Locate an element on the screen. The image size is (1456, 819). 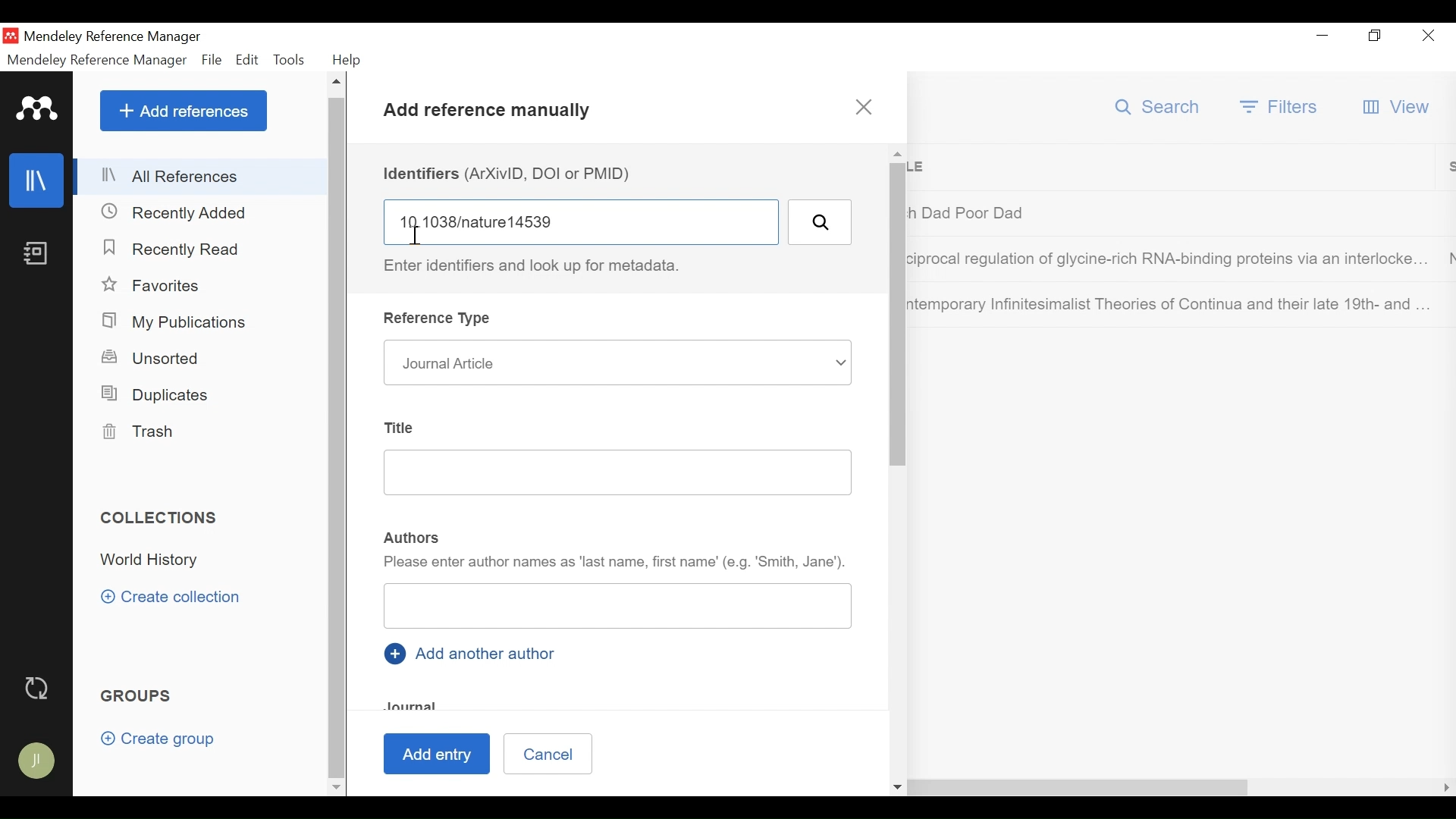
Add References Manully is located at coordinates (488, 114).